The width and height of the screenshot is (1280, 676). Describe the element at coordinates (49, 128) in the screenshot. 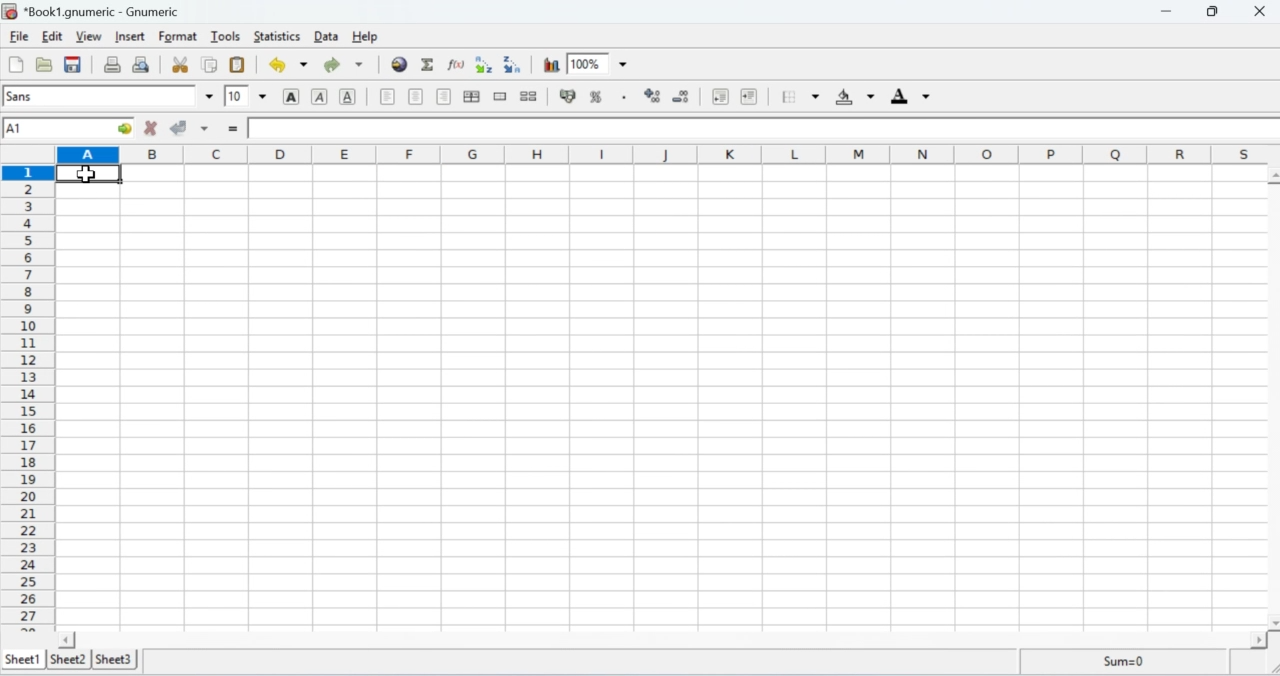

I see `Cell name A1` at that location.